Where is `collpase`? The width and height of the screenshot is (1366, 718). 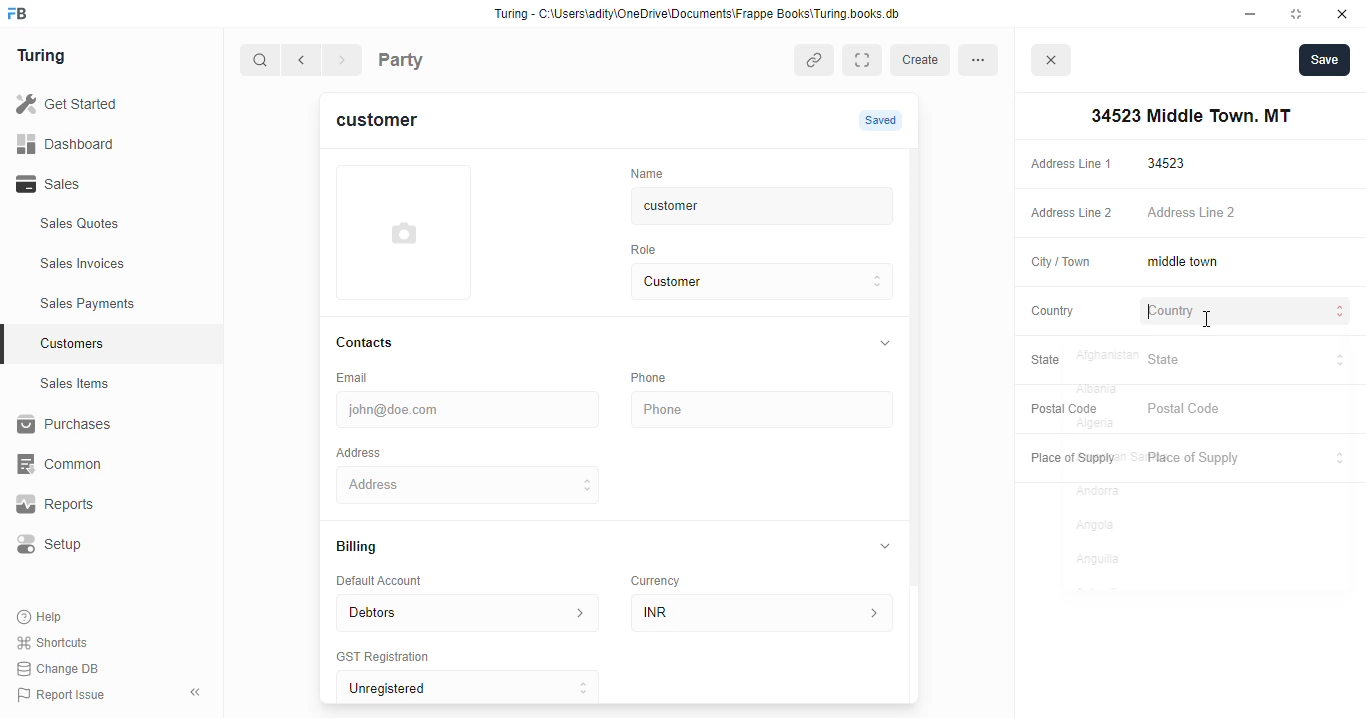
collpase is located at coordinates (195, 692).